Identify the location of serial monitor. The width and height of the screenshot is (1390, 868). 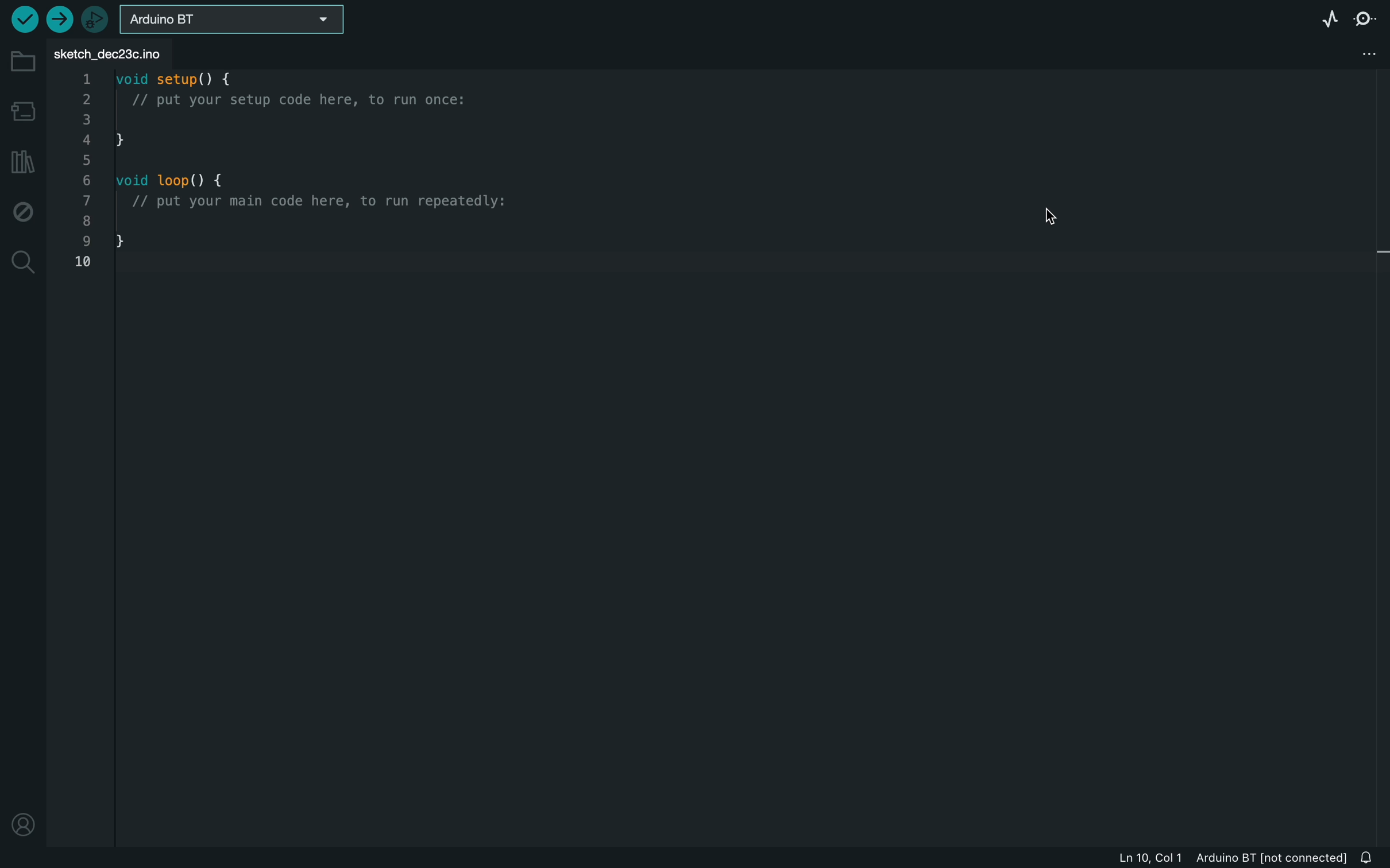
(1366, 17).